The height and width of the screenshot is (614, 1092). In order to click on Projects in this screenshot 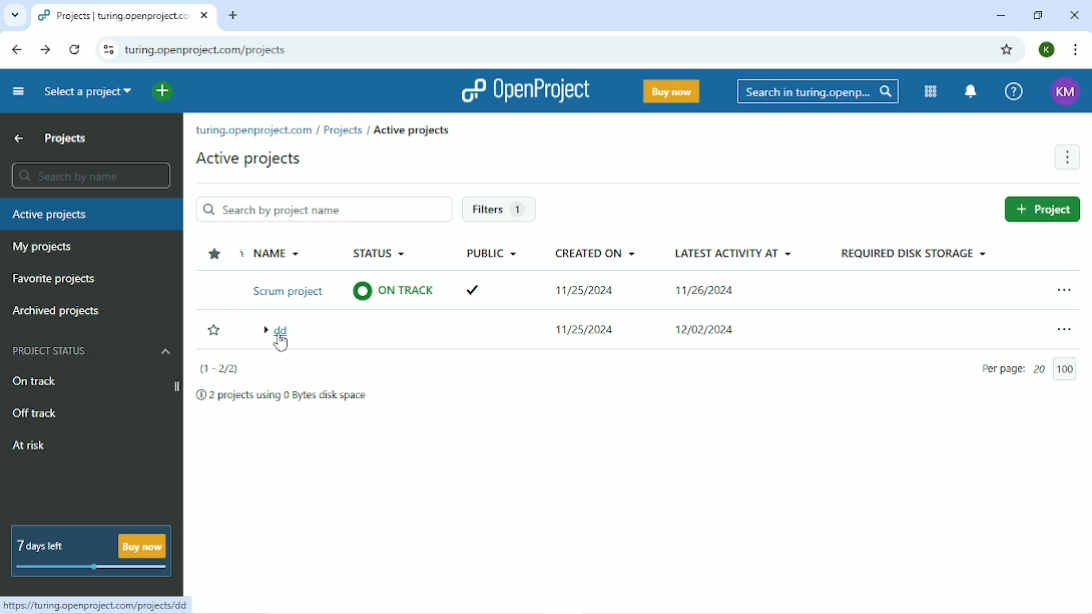, I will do `click(66, 139)`.